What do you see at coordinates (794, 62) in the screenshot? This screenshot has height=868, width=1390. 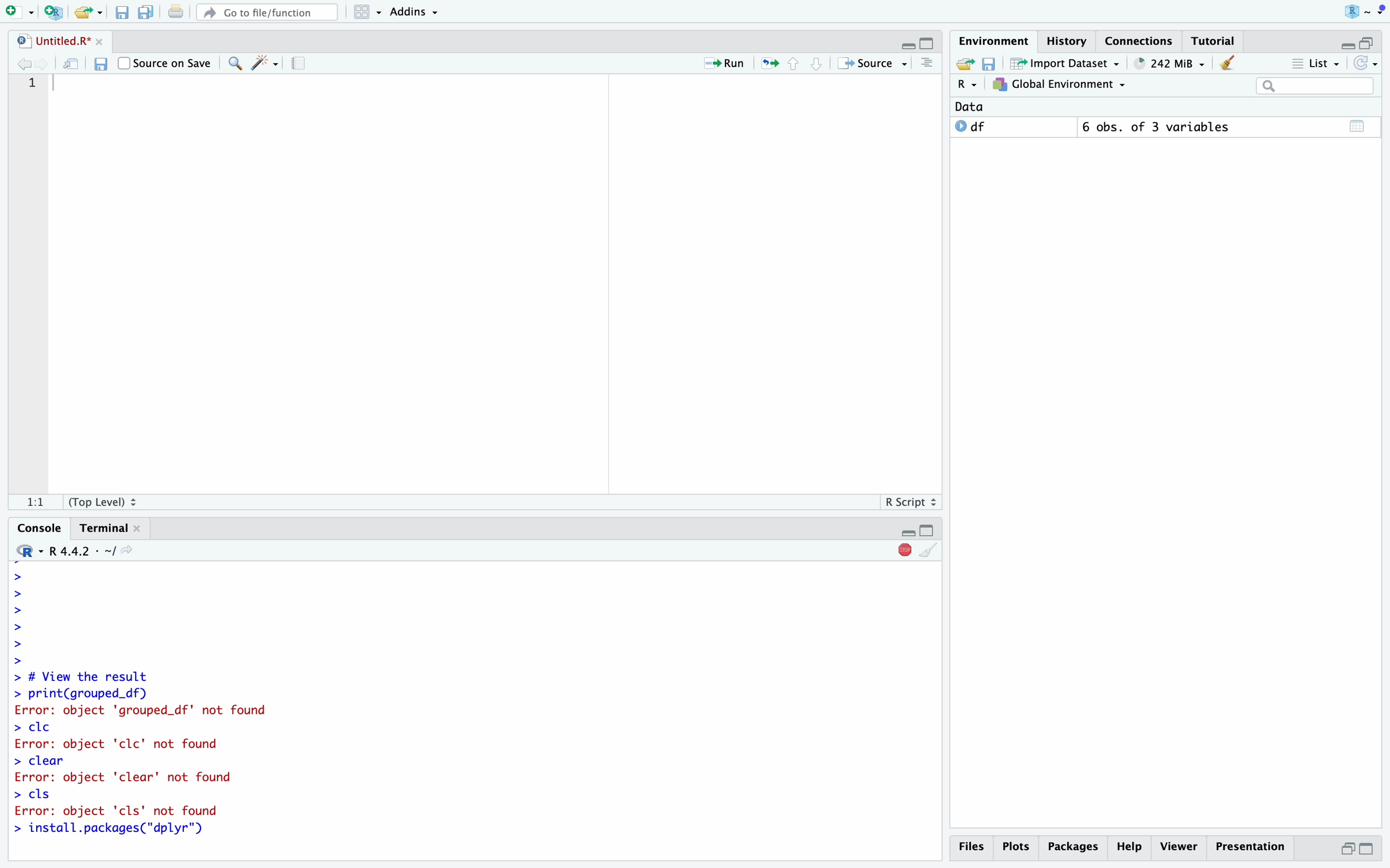 I see `Go to previous section` at bounding box center [794, 62].